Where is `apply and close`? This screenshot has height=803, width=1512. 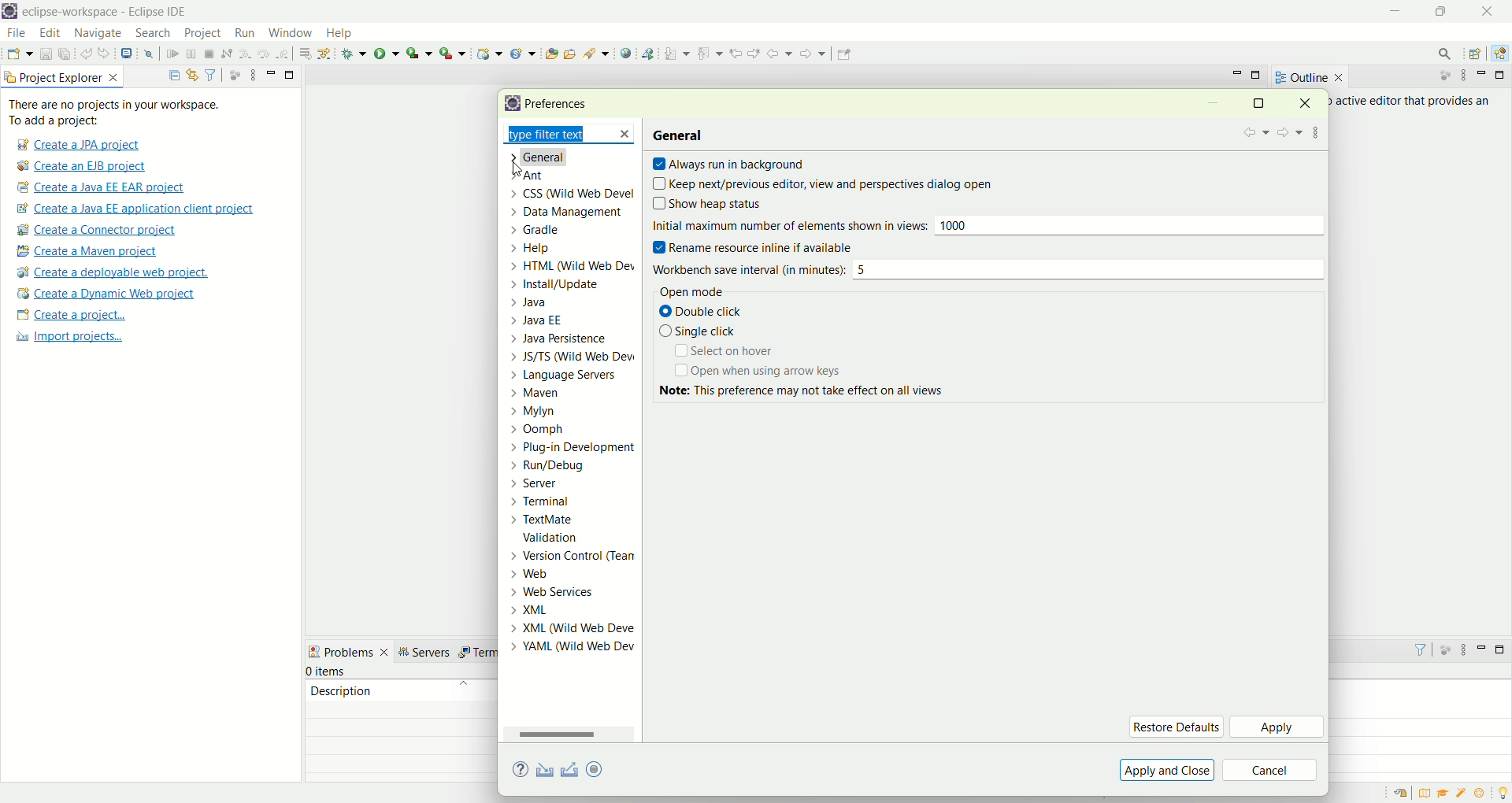
apply and close is located at coordinates (1165, 770).